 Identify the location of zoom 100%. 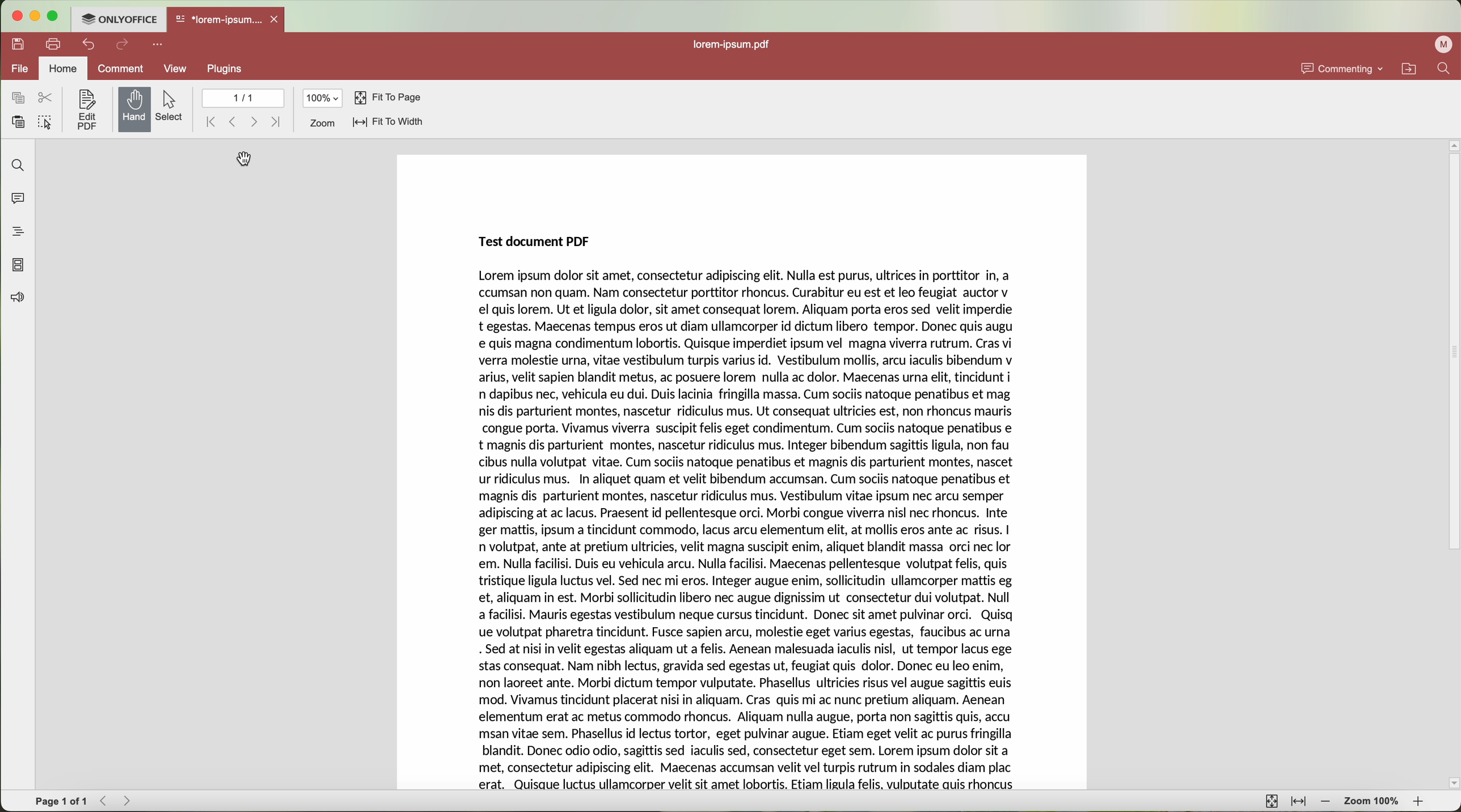
(1373, 801).